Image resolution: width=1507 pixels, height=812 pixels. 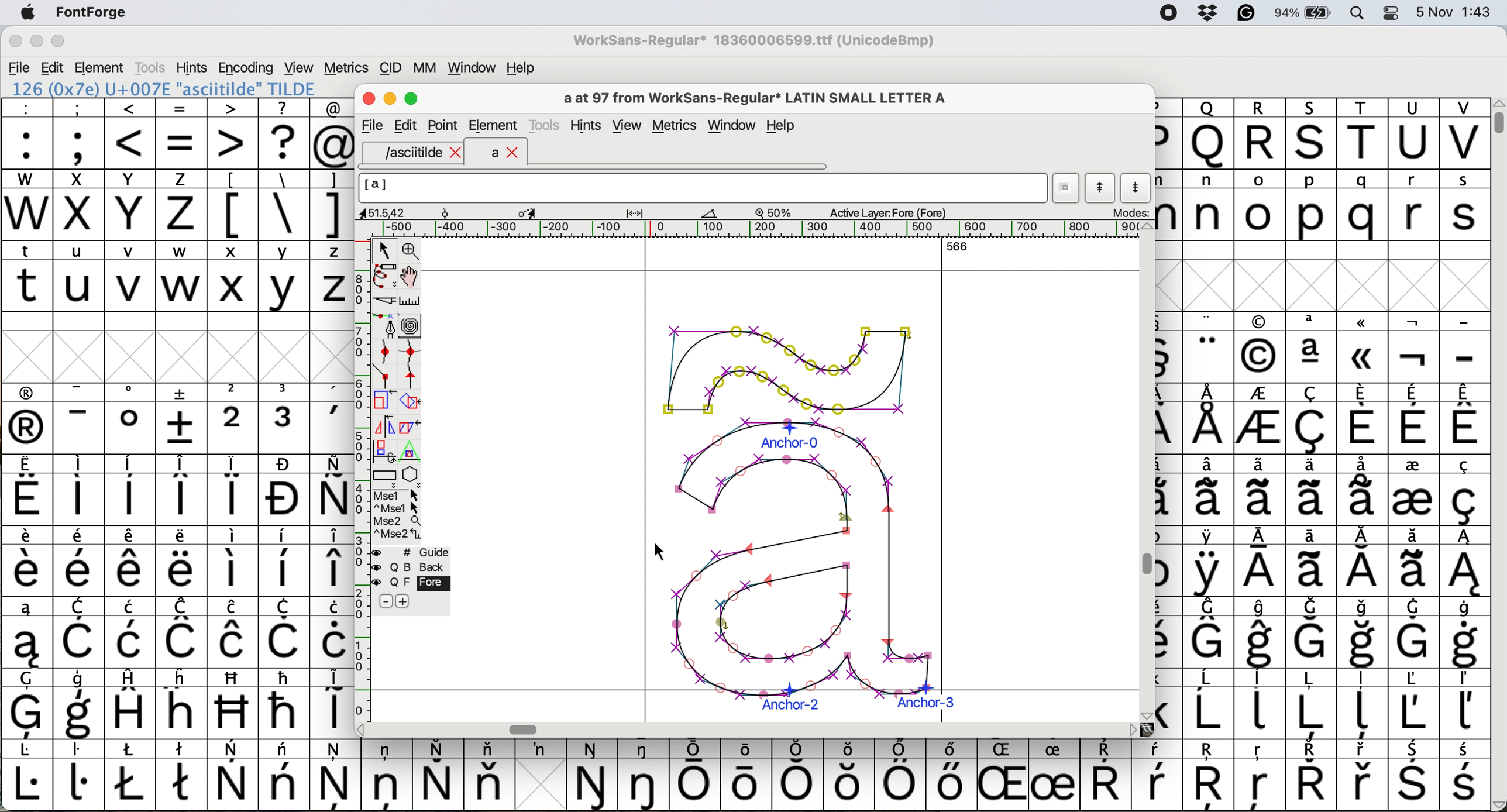 I want to click on , so click(x=1208, y=133).